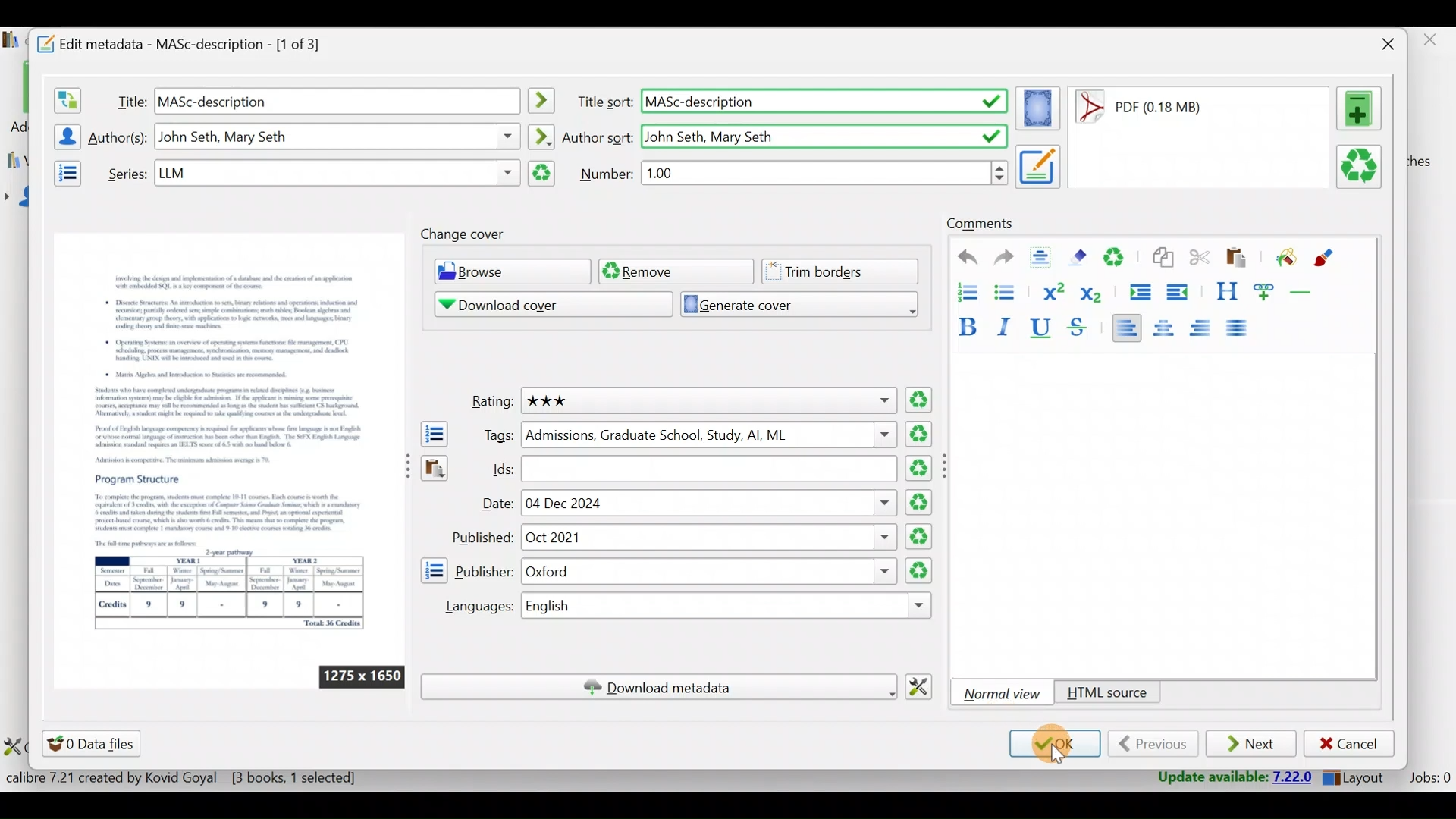  I want to click on Paste contents of the clipboard, so click(433, 472).